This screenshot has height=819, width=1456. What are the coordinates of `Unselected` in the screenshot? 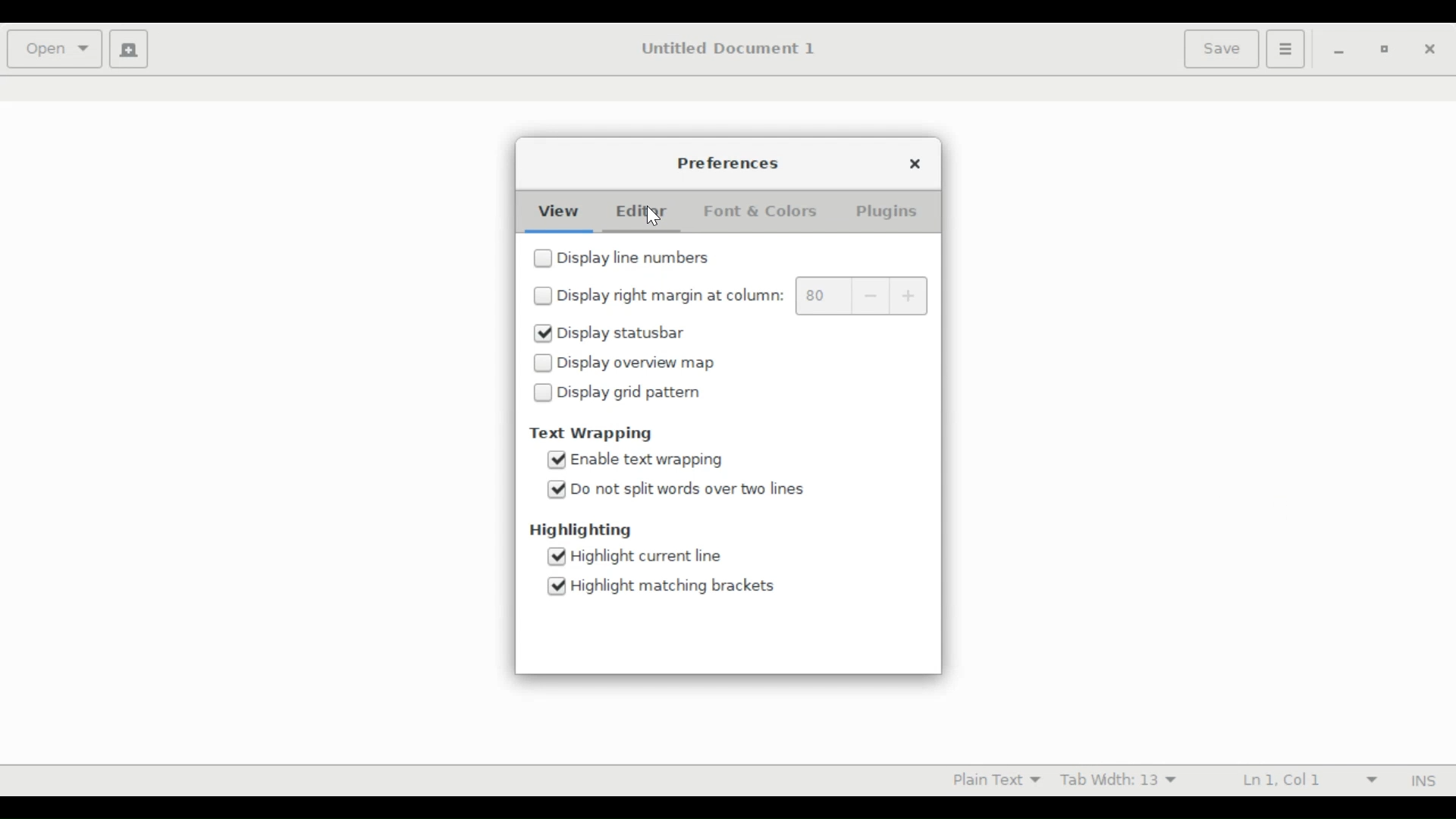 It's located at (542, 362).